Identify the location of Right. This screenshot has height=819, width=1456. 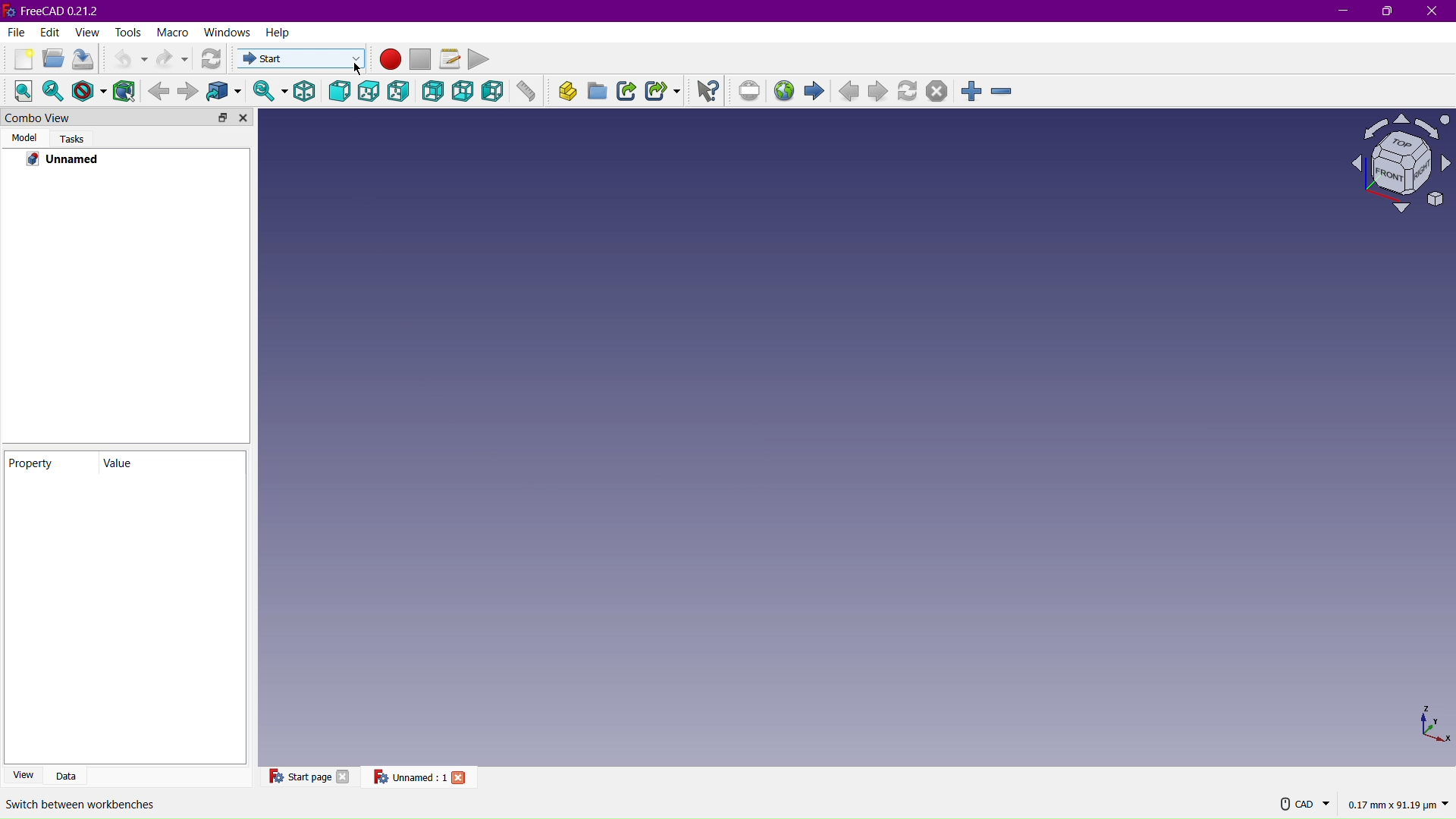
(402, 93).